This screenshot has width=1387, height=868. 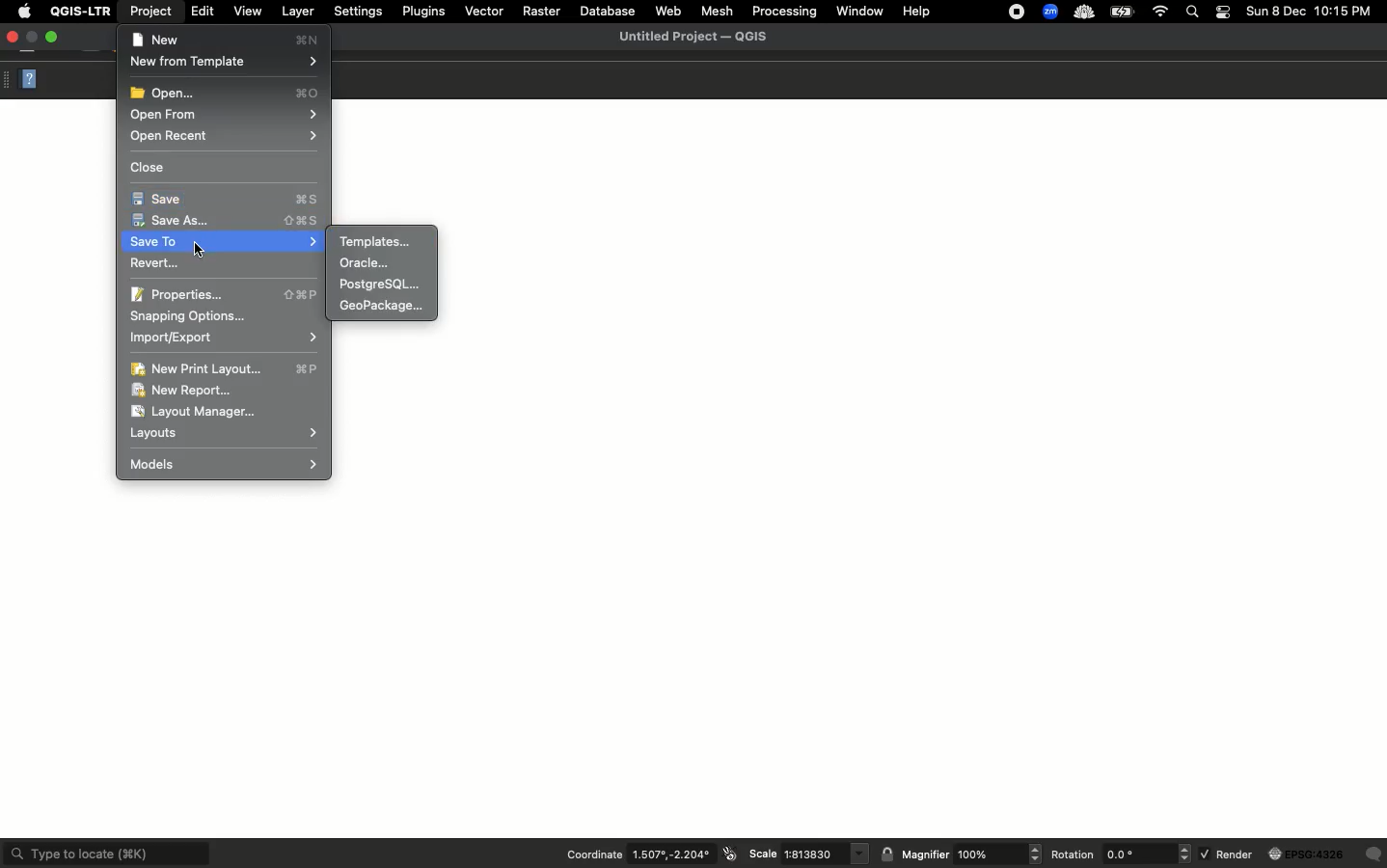 What do you see at coordinates (542, 10) in the screenshot?
I see `Raster` at bounding box center [542, 10].